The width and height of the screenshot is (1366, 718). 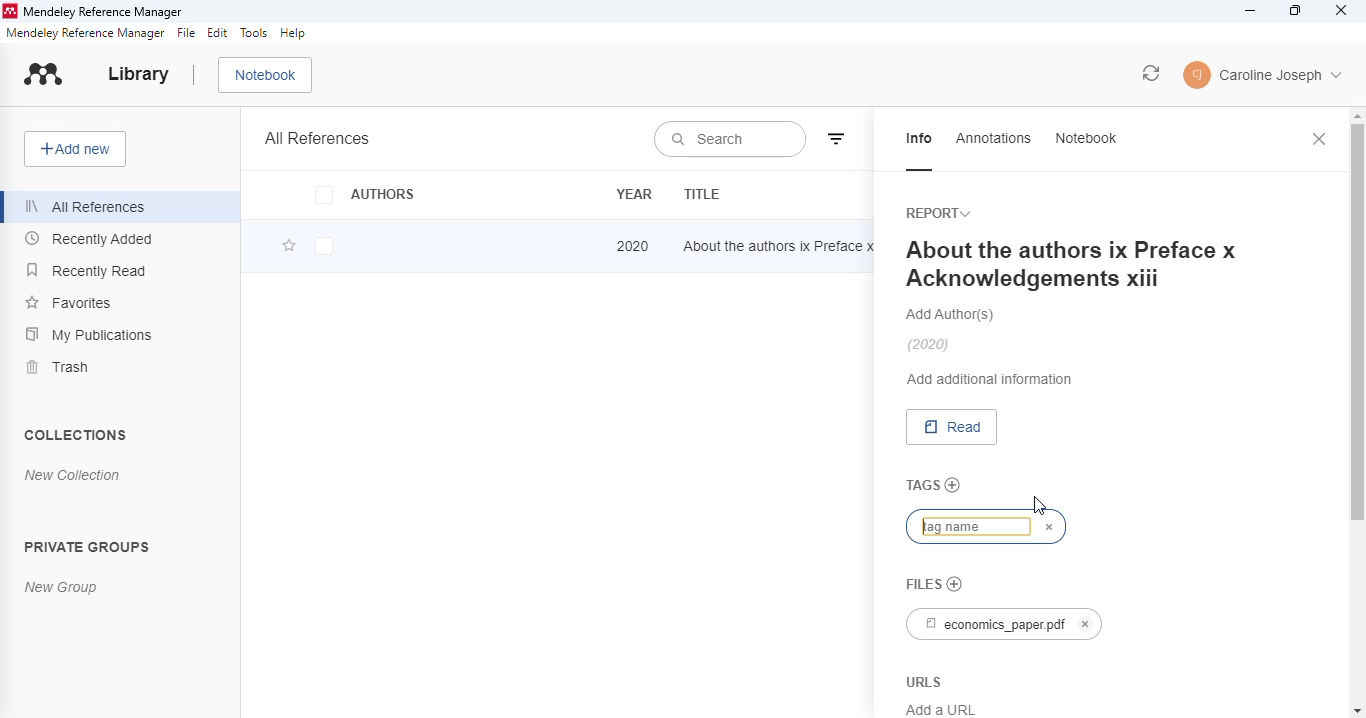 I want to click on annotations, so click(x=993, y=137).